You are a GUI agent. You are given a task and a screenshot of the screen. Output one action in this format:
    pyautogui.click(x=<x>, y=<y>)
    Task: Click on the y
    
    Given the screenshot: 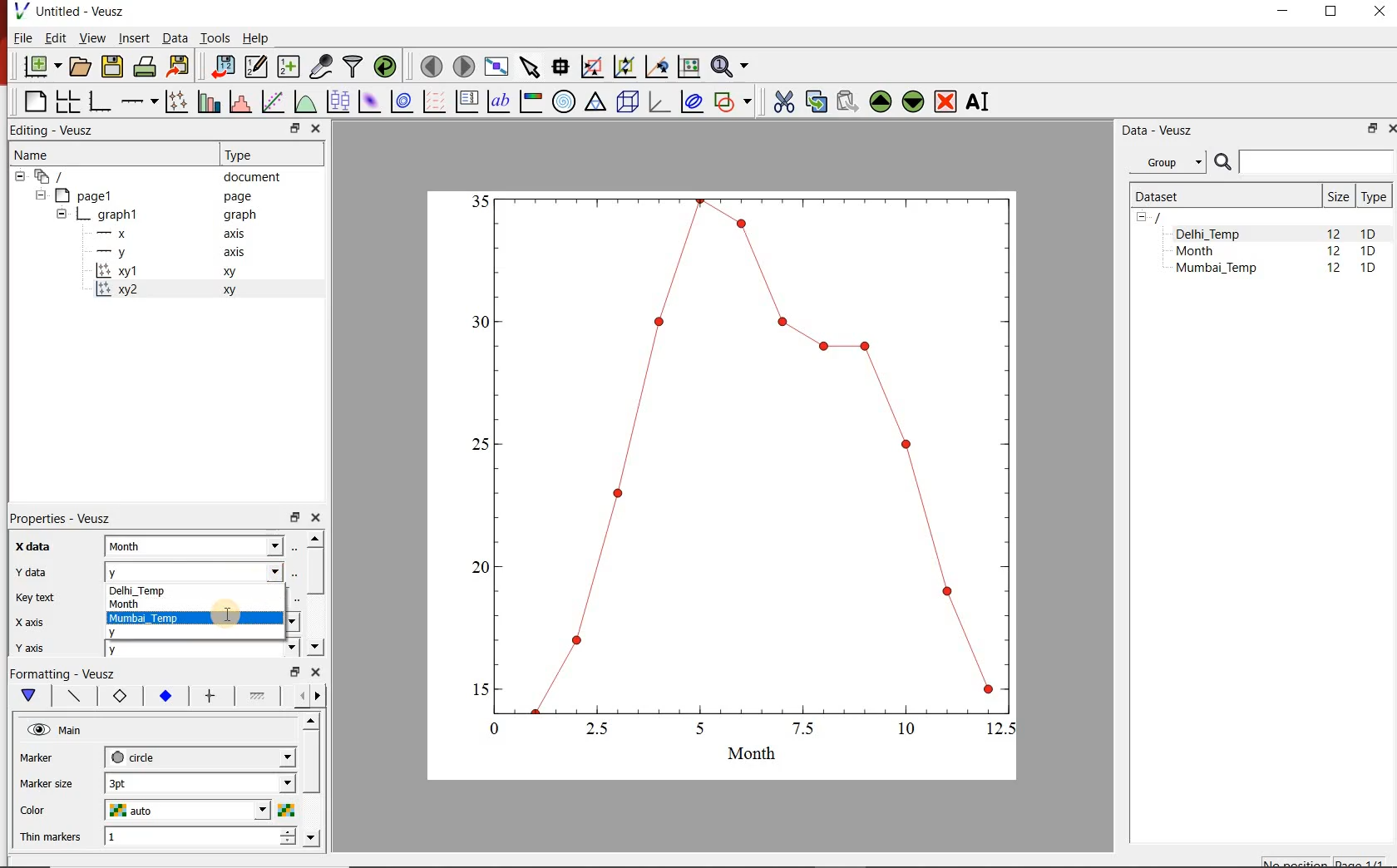 What is the action you would take?
    pyautogui.click(x=201, y=652)
    